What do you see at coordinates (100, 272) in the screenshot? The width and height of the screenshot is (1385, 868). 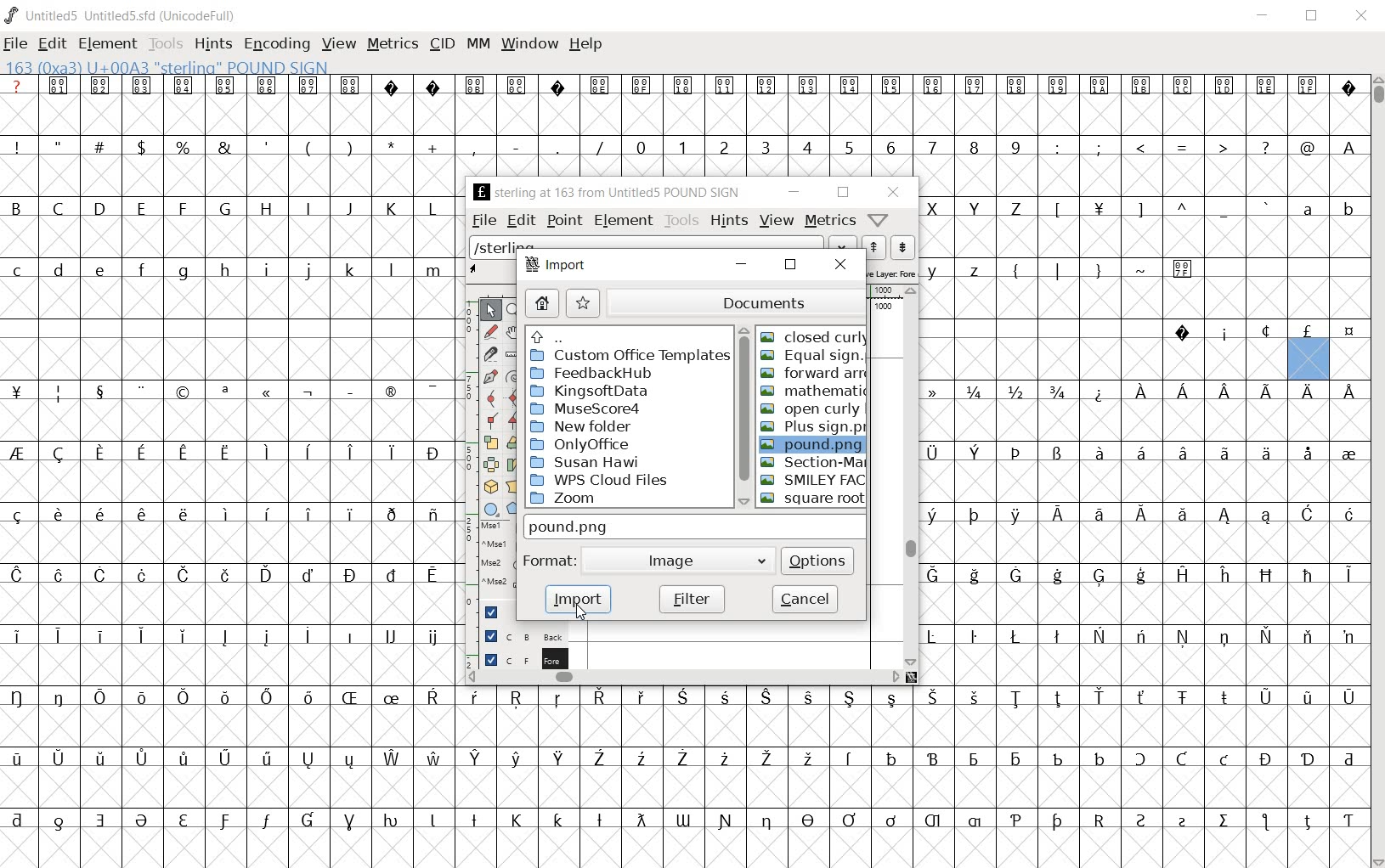 I see `` at bounding box center [100, 272].